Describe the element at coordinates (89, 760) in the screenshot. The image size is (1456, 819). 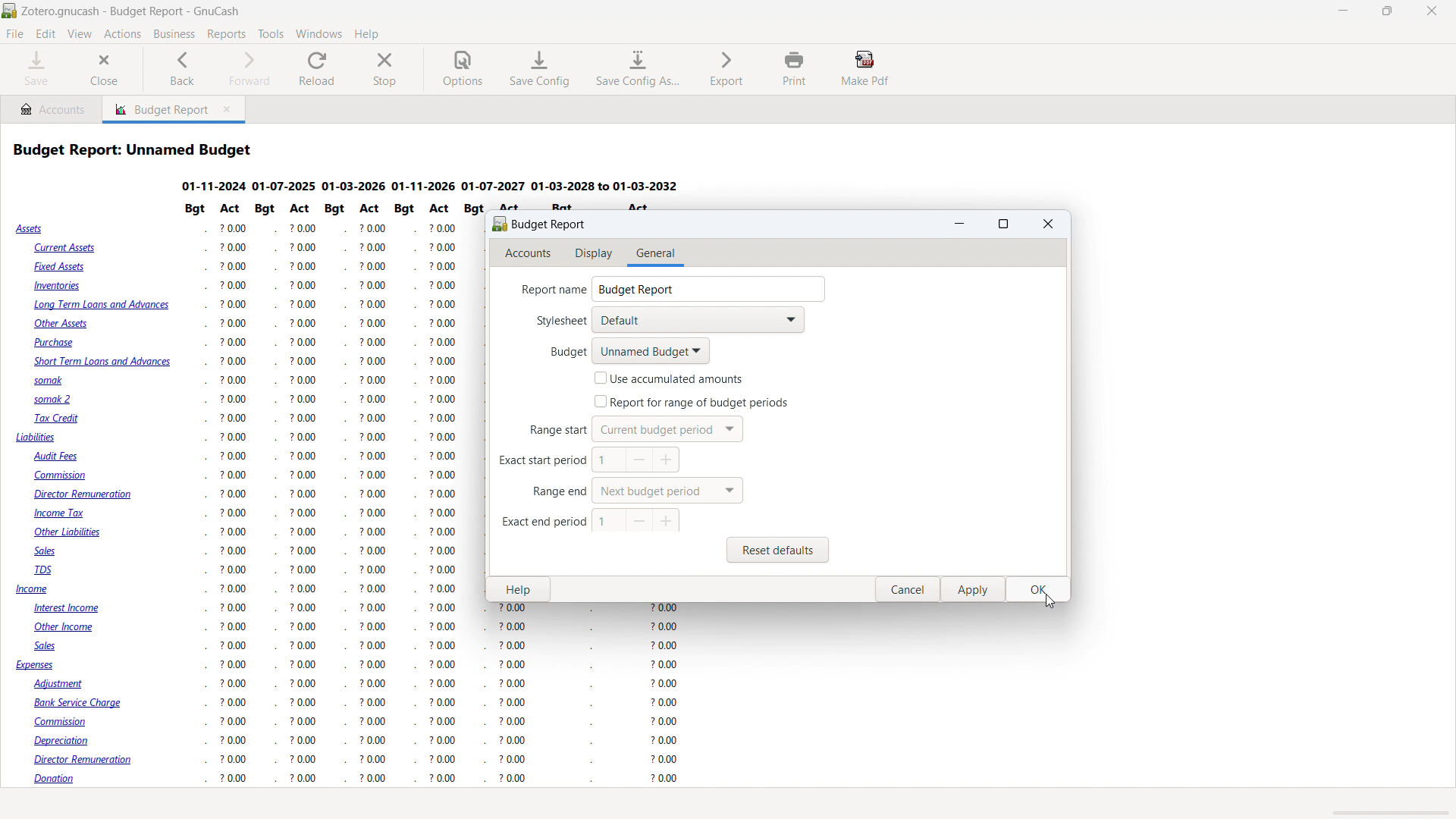
I see `Director Remuneration` at that location.